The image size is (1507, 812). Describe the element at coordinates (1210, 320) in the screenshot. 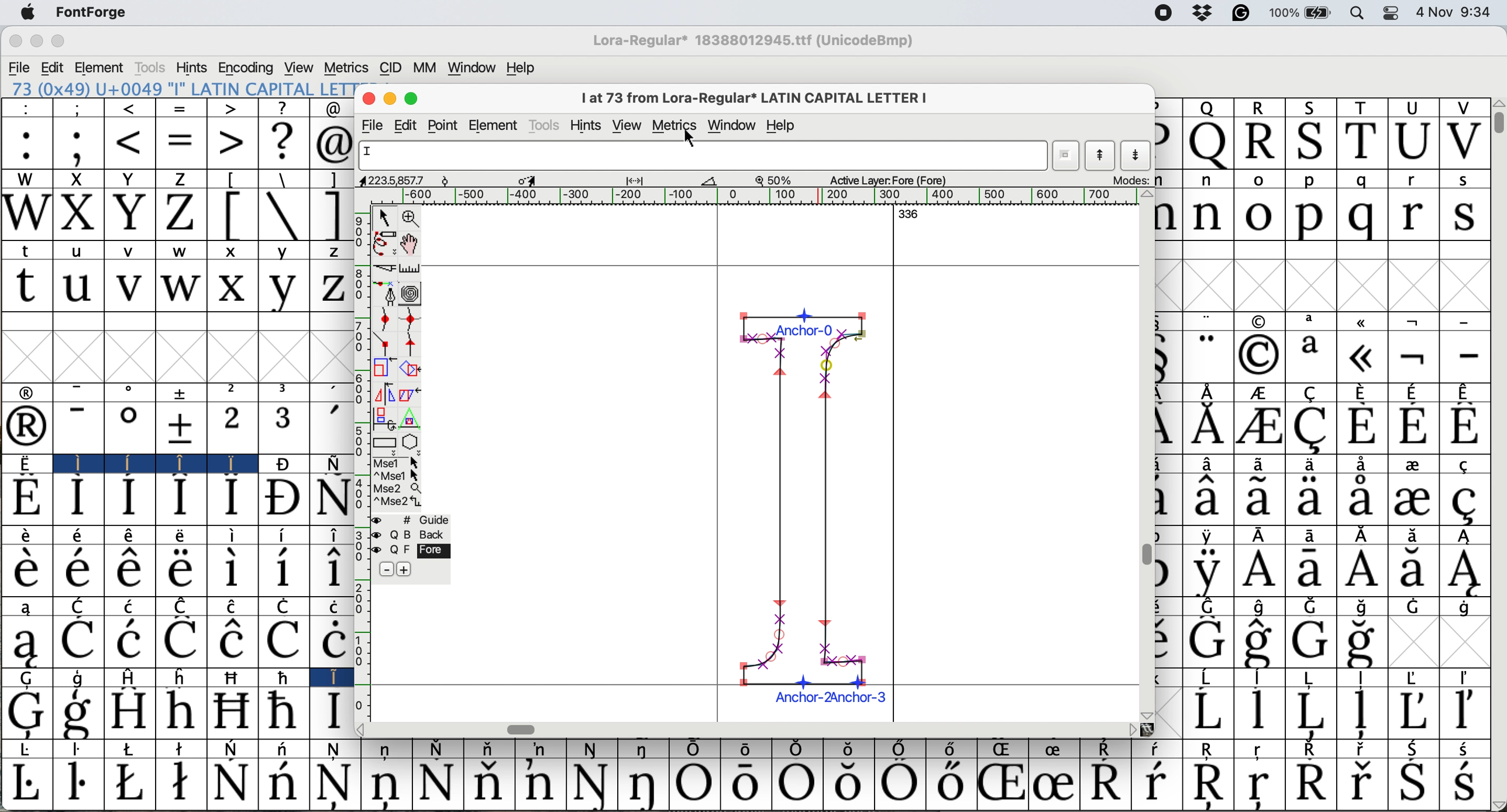

I see `"` at that location.